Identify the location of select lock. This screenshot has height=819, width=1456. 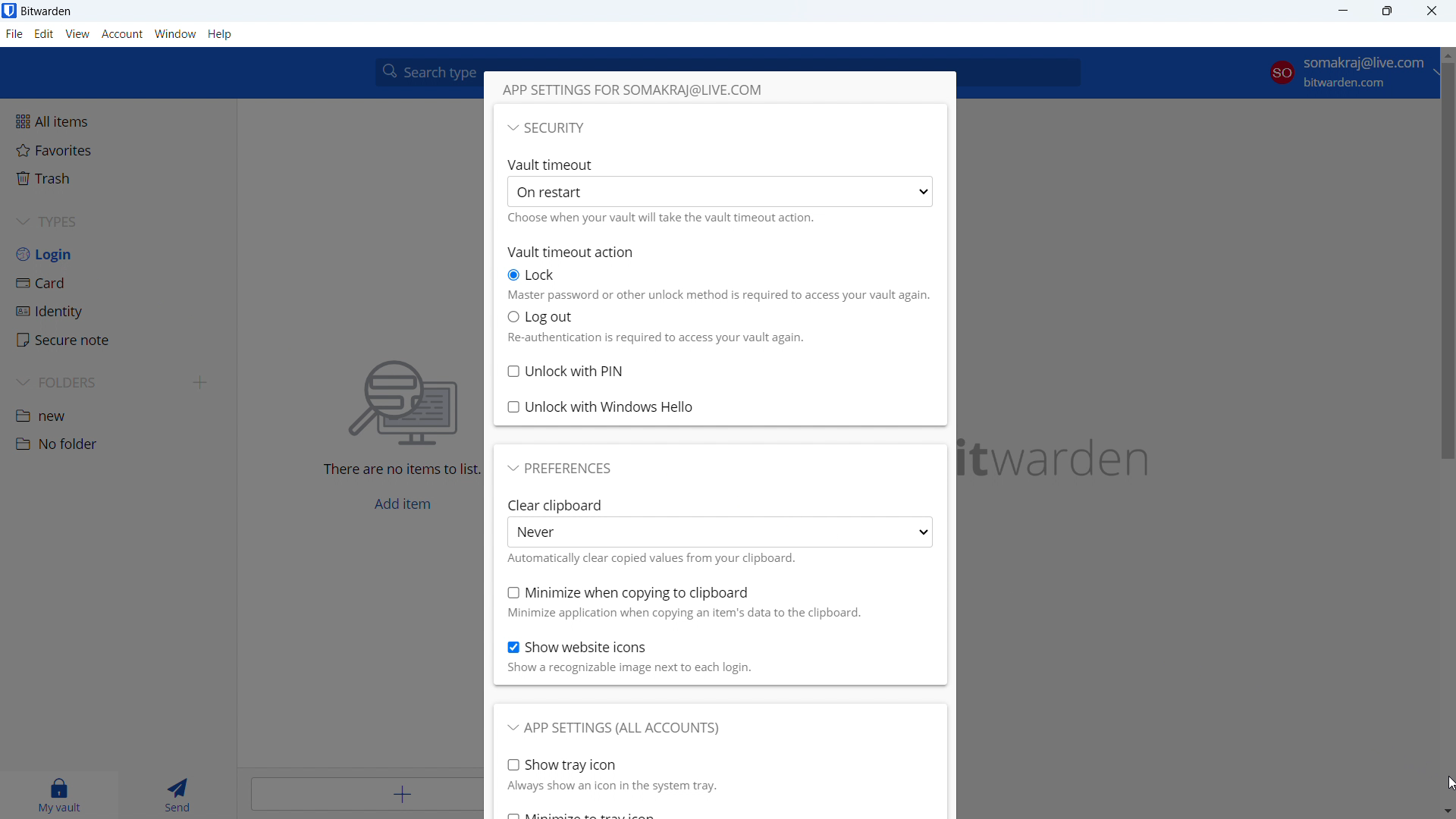
(717, 284).